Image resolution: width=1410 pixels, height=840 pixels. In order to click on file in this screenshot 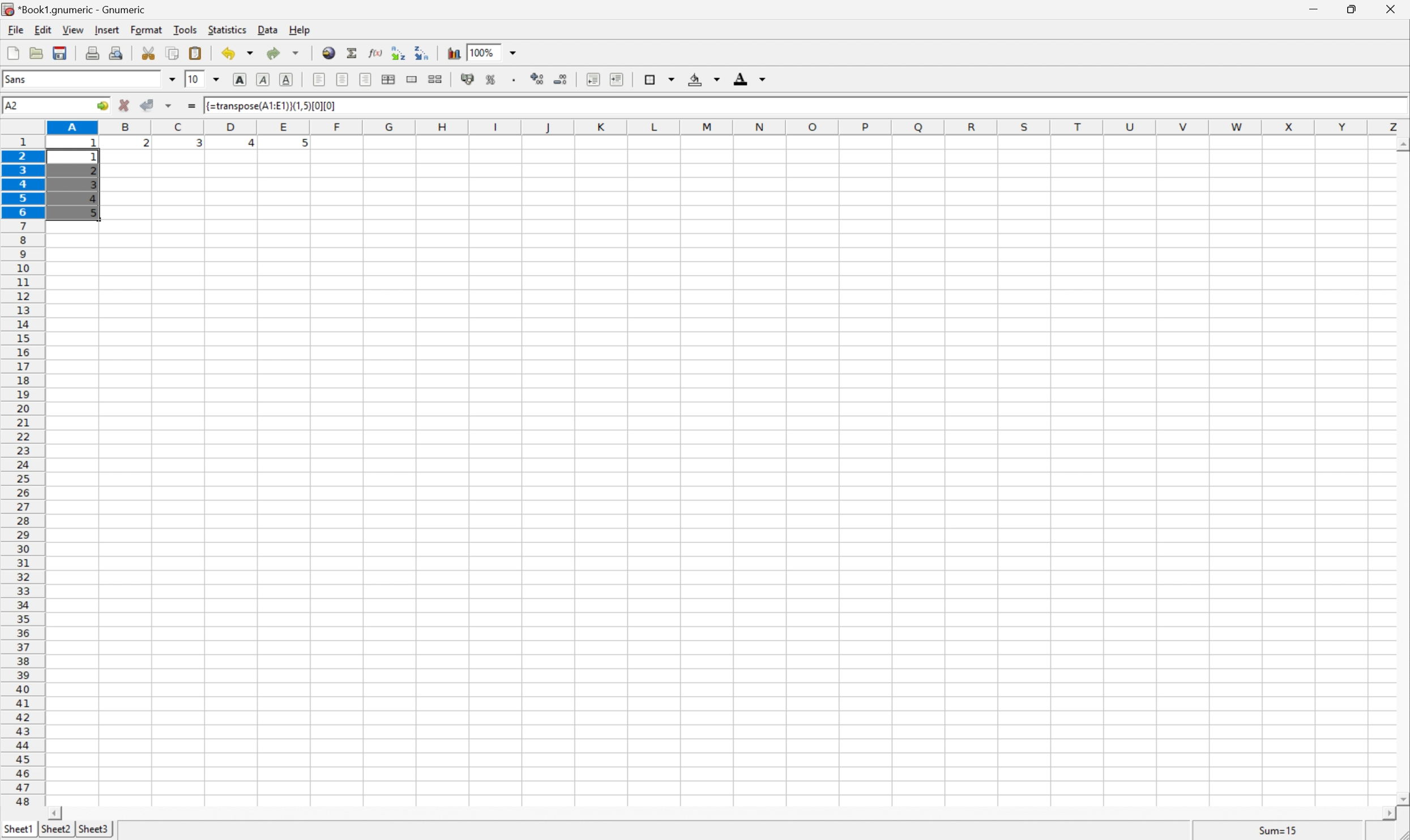, I will do `click(11, 29)`.